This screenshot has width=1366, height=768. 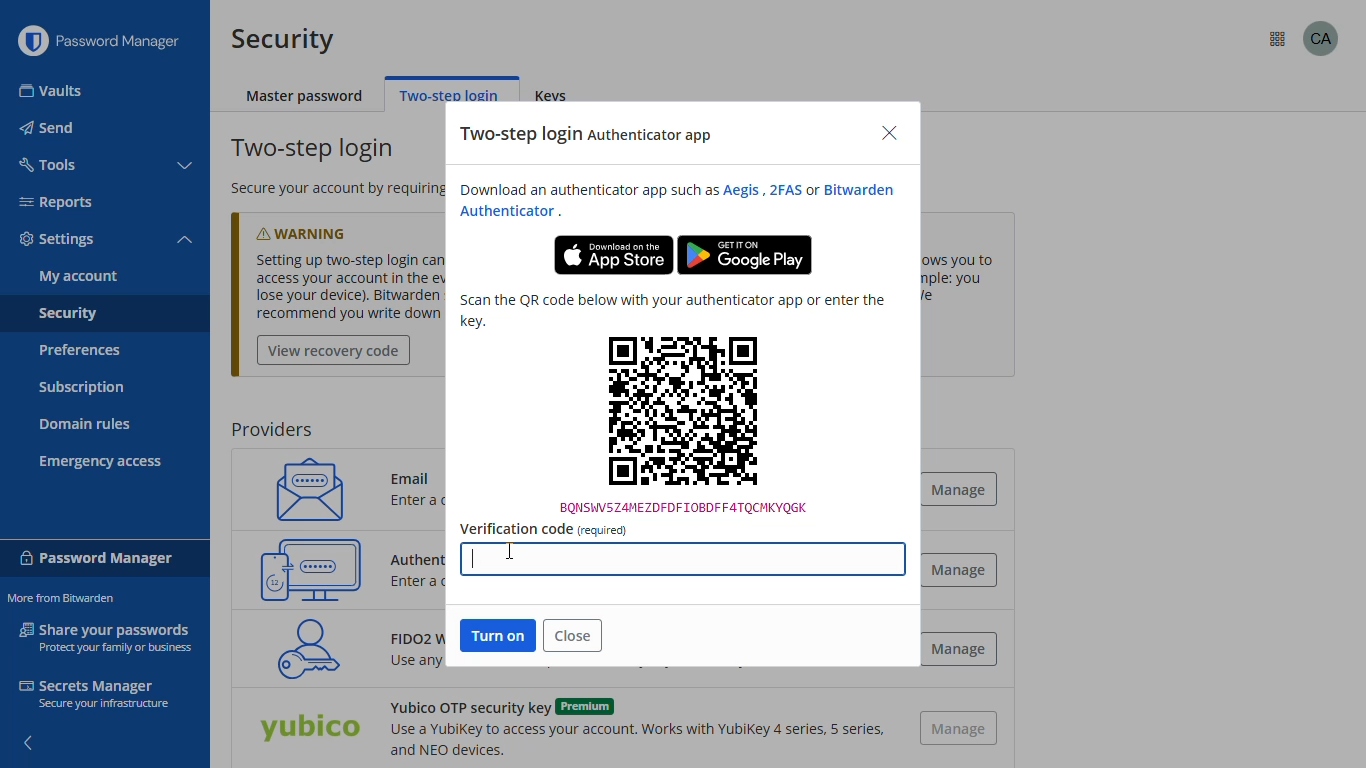 What do you see at coordinates (101, 462) in the screenshot?
I see `emergency access` at bounding box center [101, 462].